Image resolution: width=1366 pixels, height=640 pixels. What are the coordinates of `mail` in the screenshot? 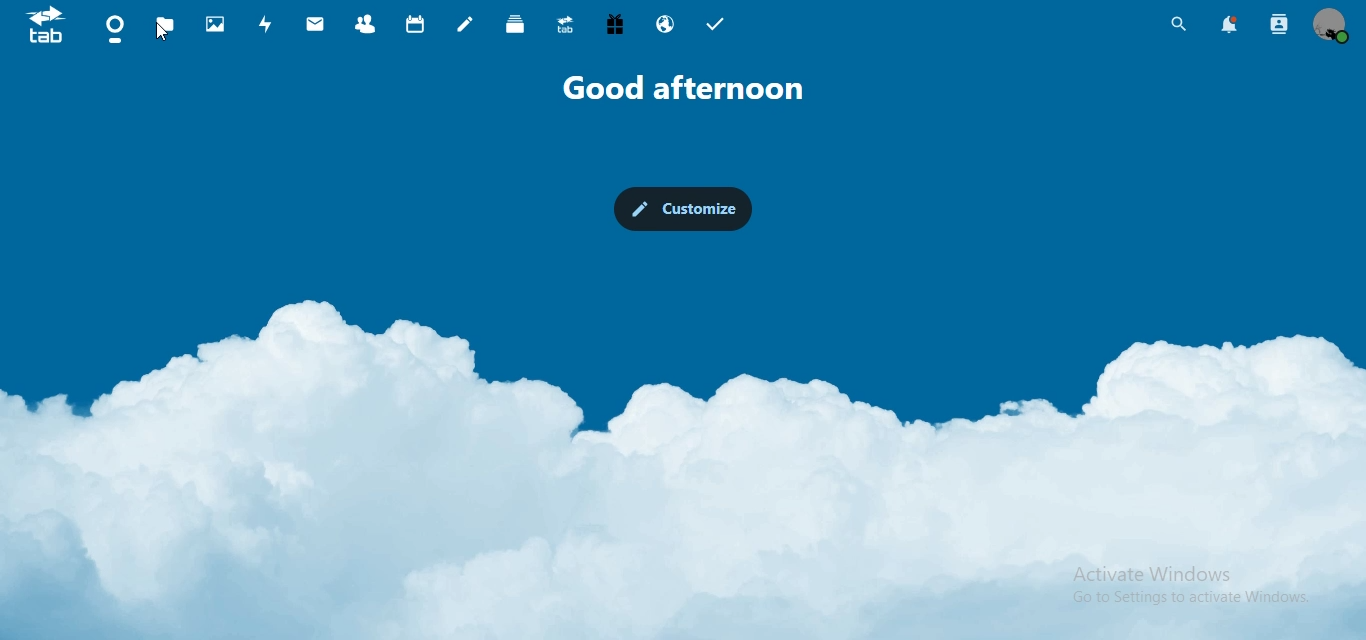 It's located at (315, 24).